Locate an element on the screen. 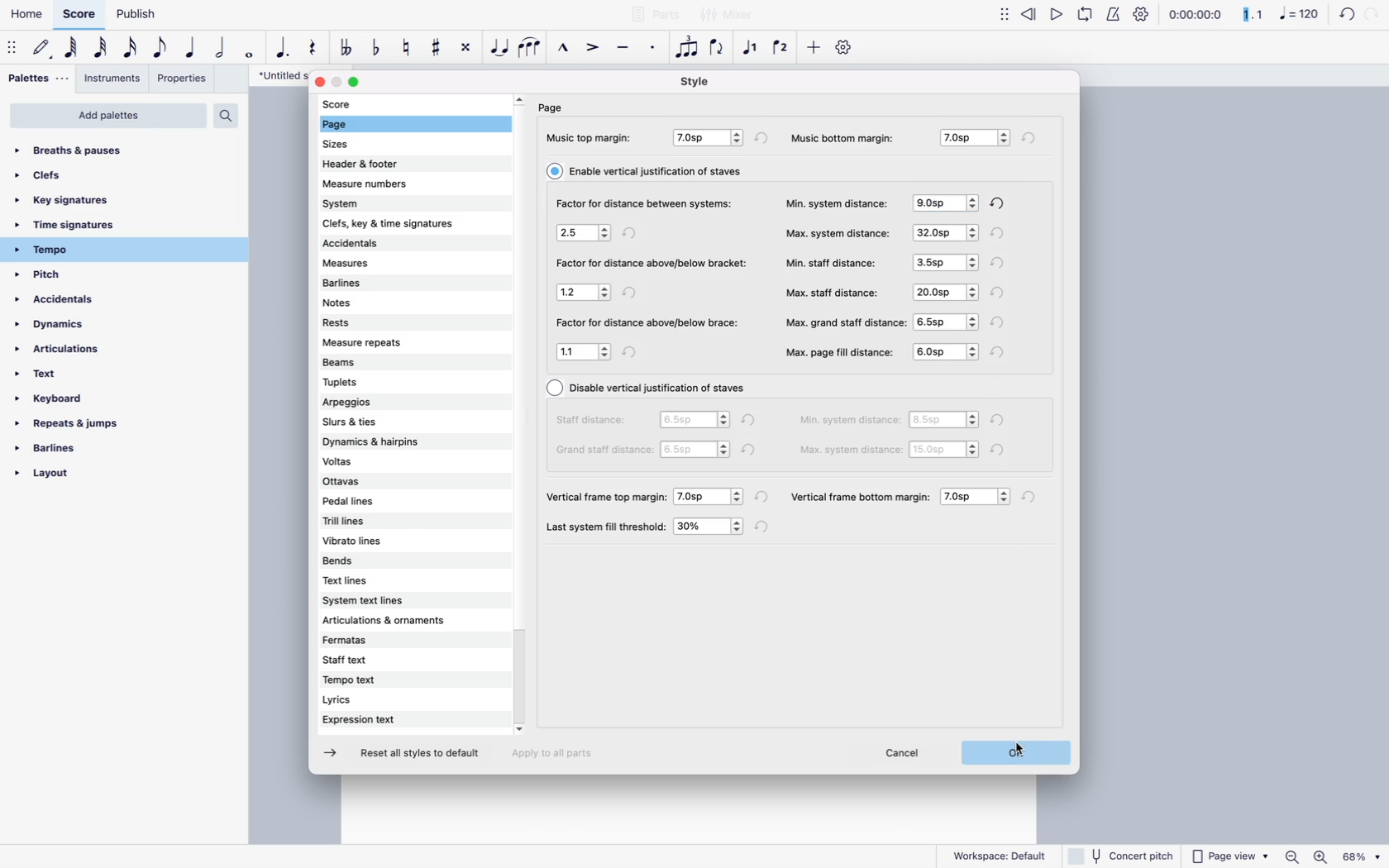  options is located at coordinates (585, 351).